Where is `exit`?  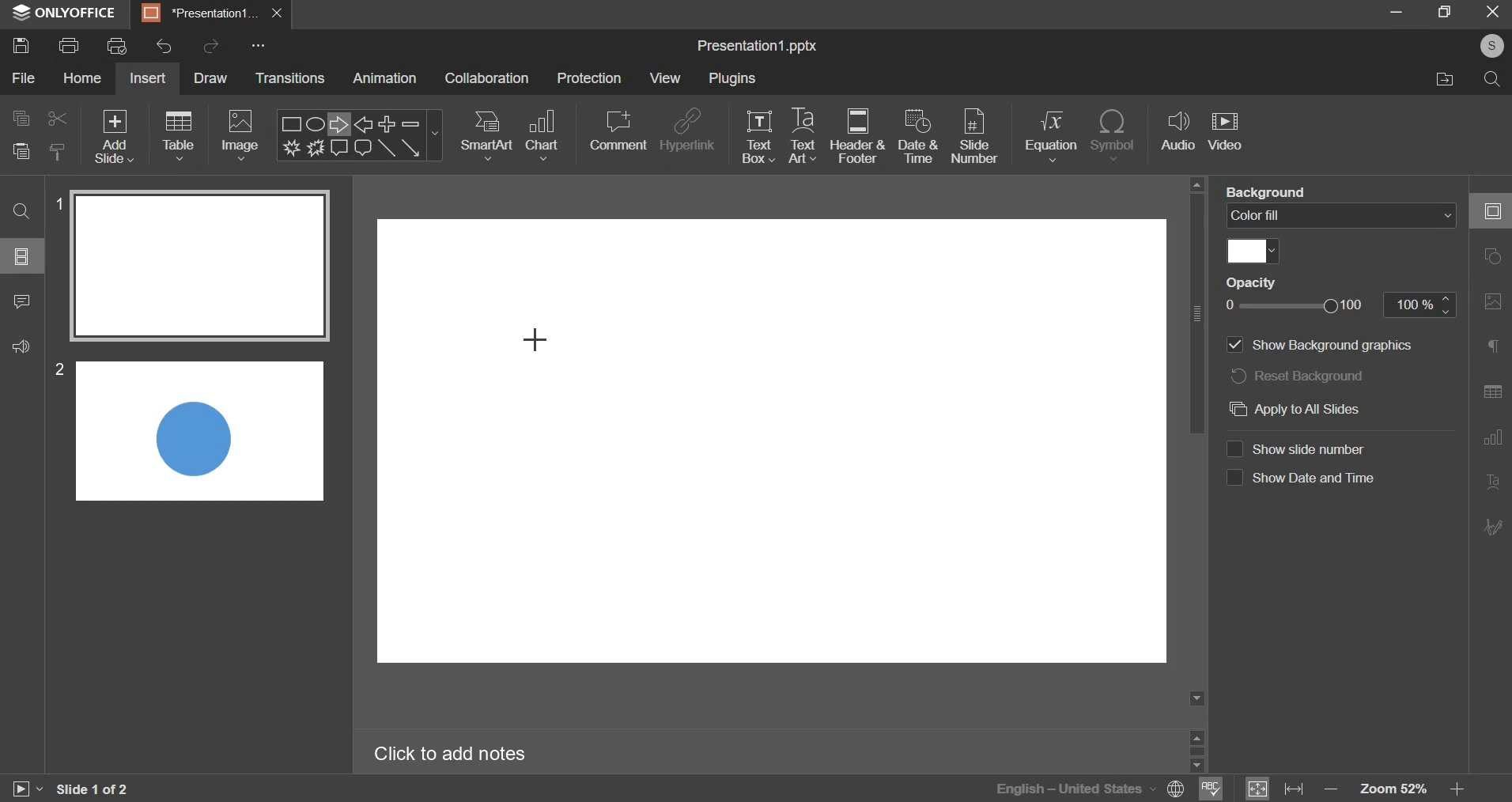
exit is located at coordinates (1493, 11).